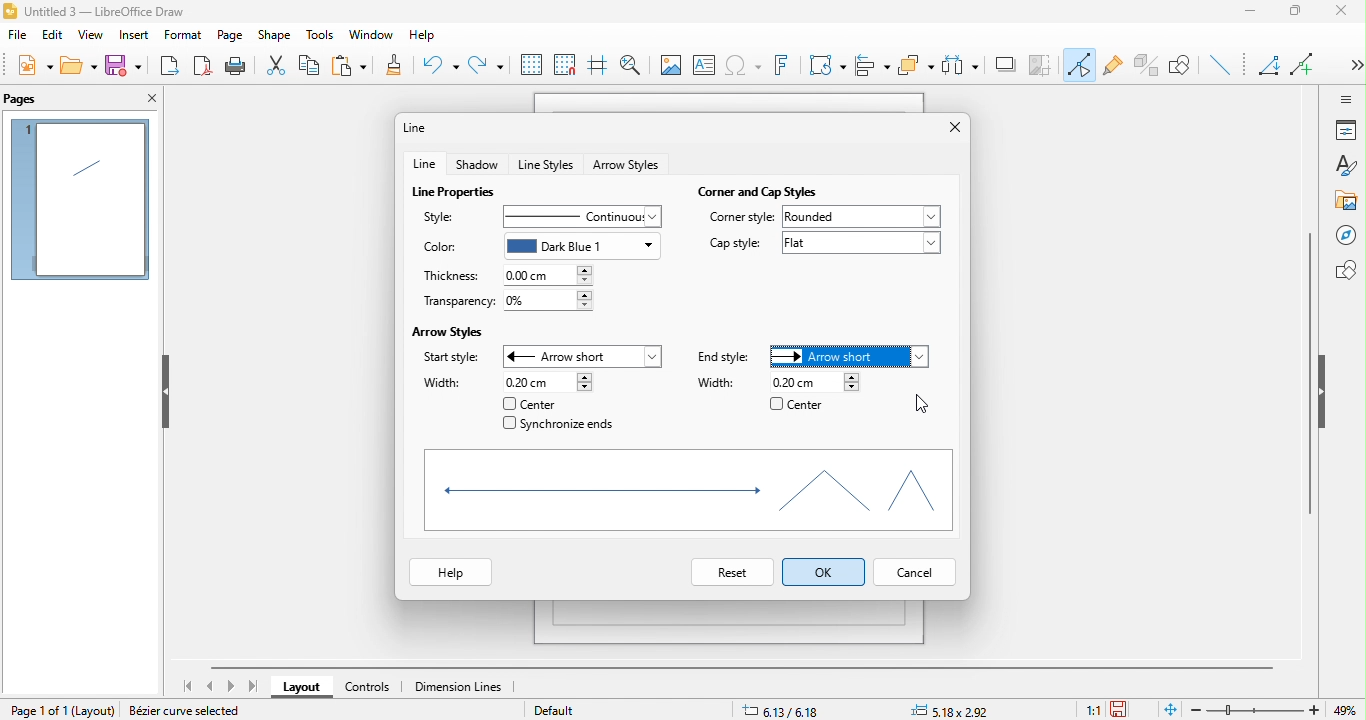 The width and height of the screenshot is (1366, 720). What do you see at coordinates (441, 67) in the screenshot?
I see `undo` at bounding box center [441, 67].